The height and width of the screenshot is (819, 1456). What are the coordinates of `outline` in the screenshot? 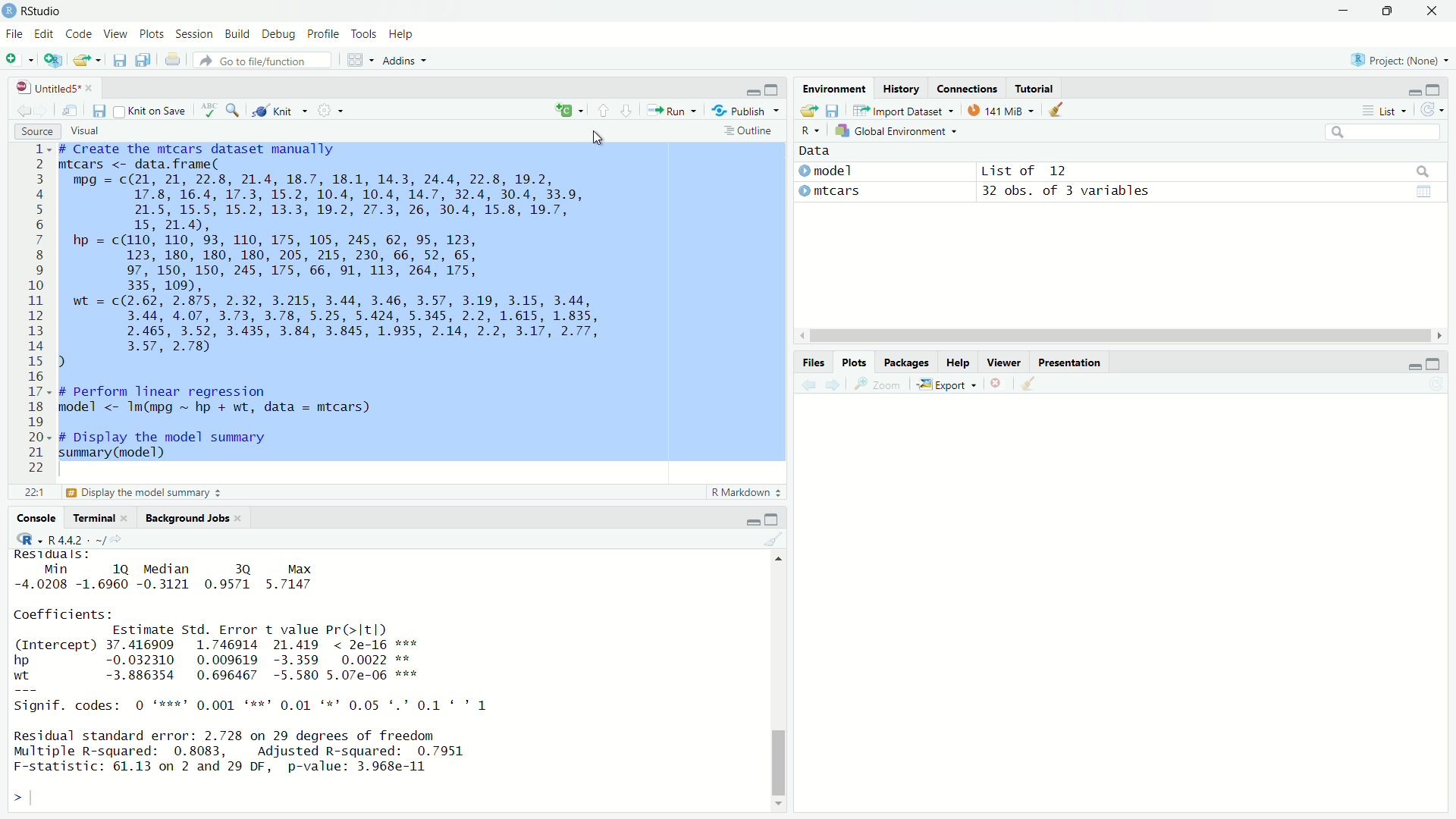 It's located at (748, 132).